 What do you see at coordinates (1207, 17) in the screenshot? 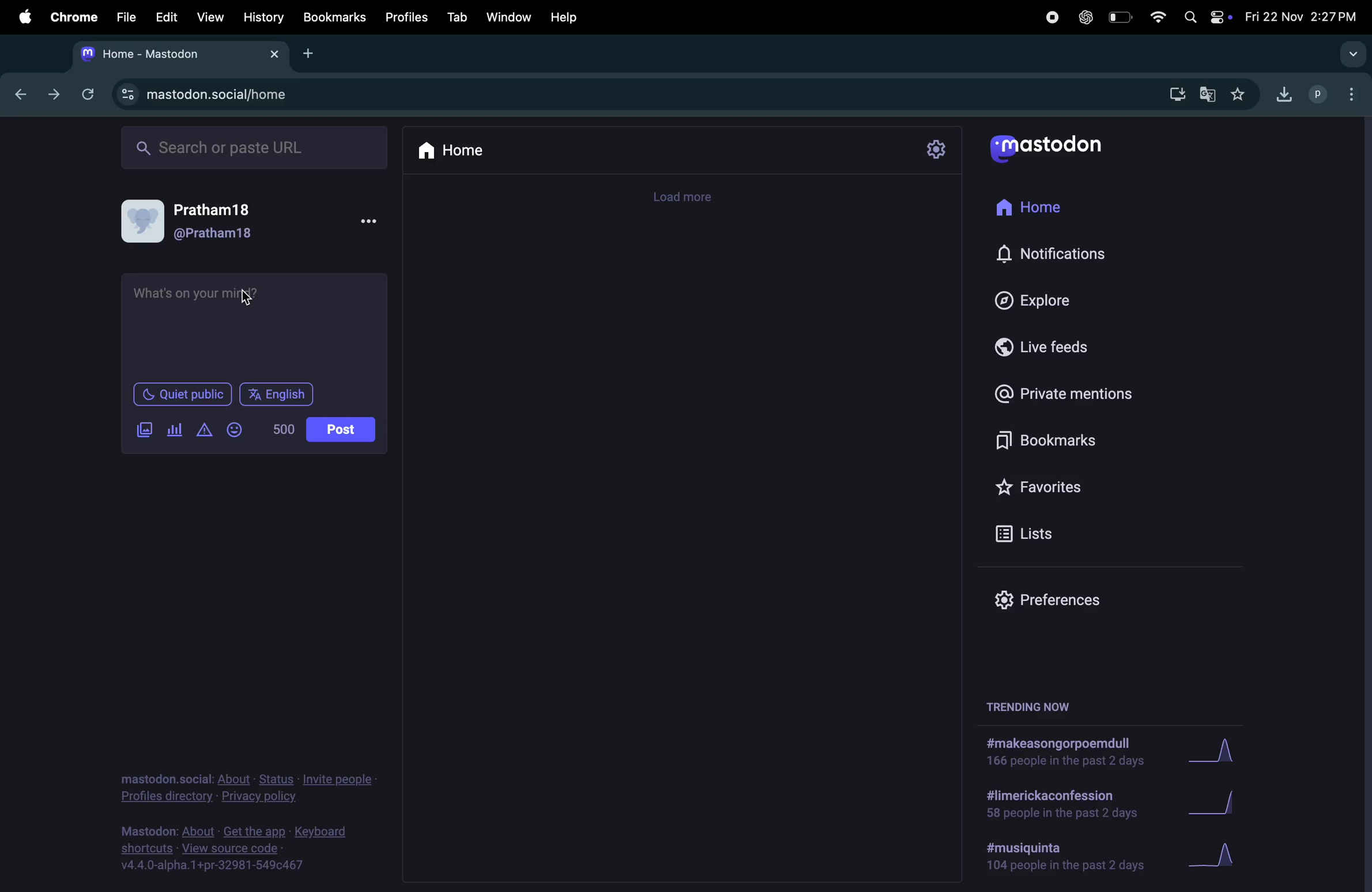
I see `apple widgets` at bounding box center [1207, 17].